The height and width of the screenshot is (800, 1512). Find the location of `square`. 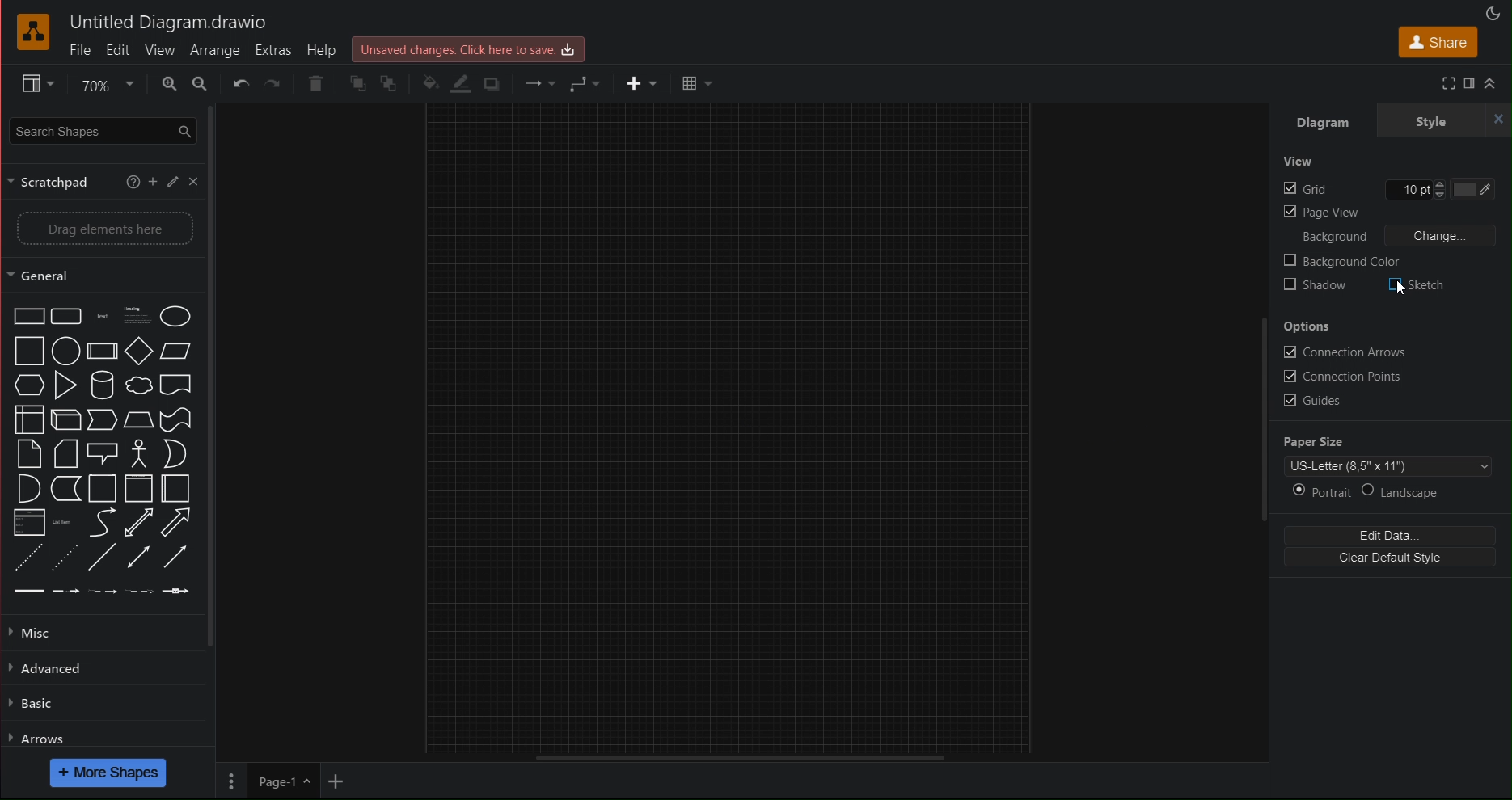

square is located at coordinates (30, 352).